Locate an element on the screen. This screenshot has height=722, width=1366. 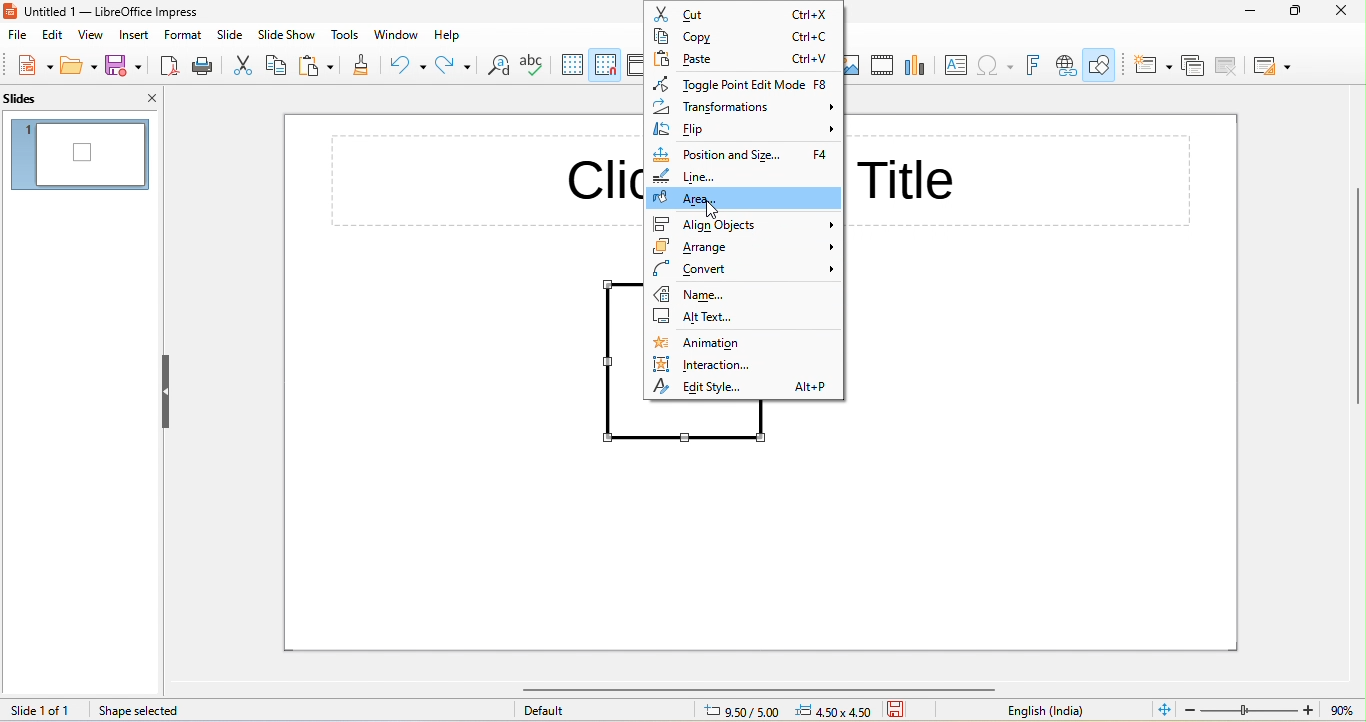
view is located at coordinates (90, 35).